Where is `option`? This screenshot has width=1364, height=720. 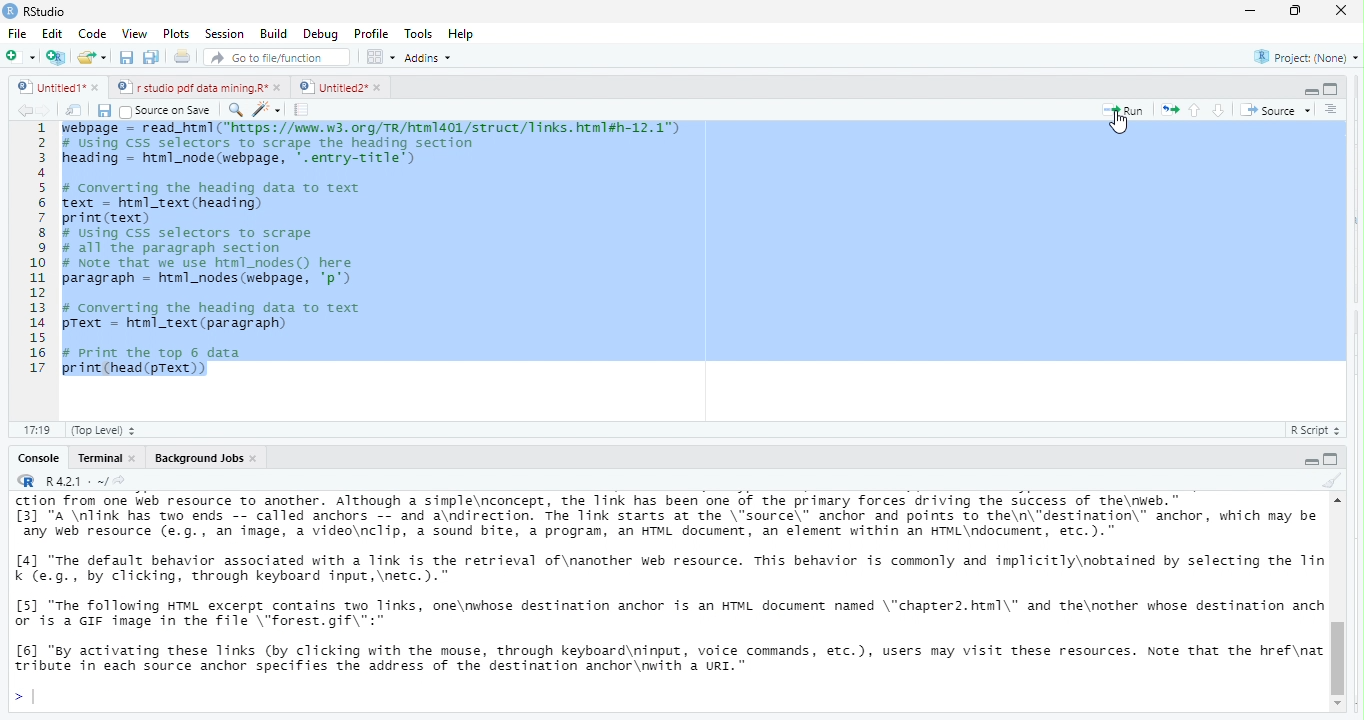
option is located at coordinates (380, 56).